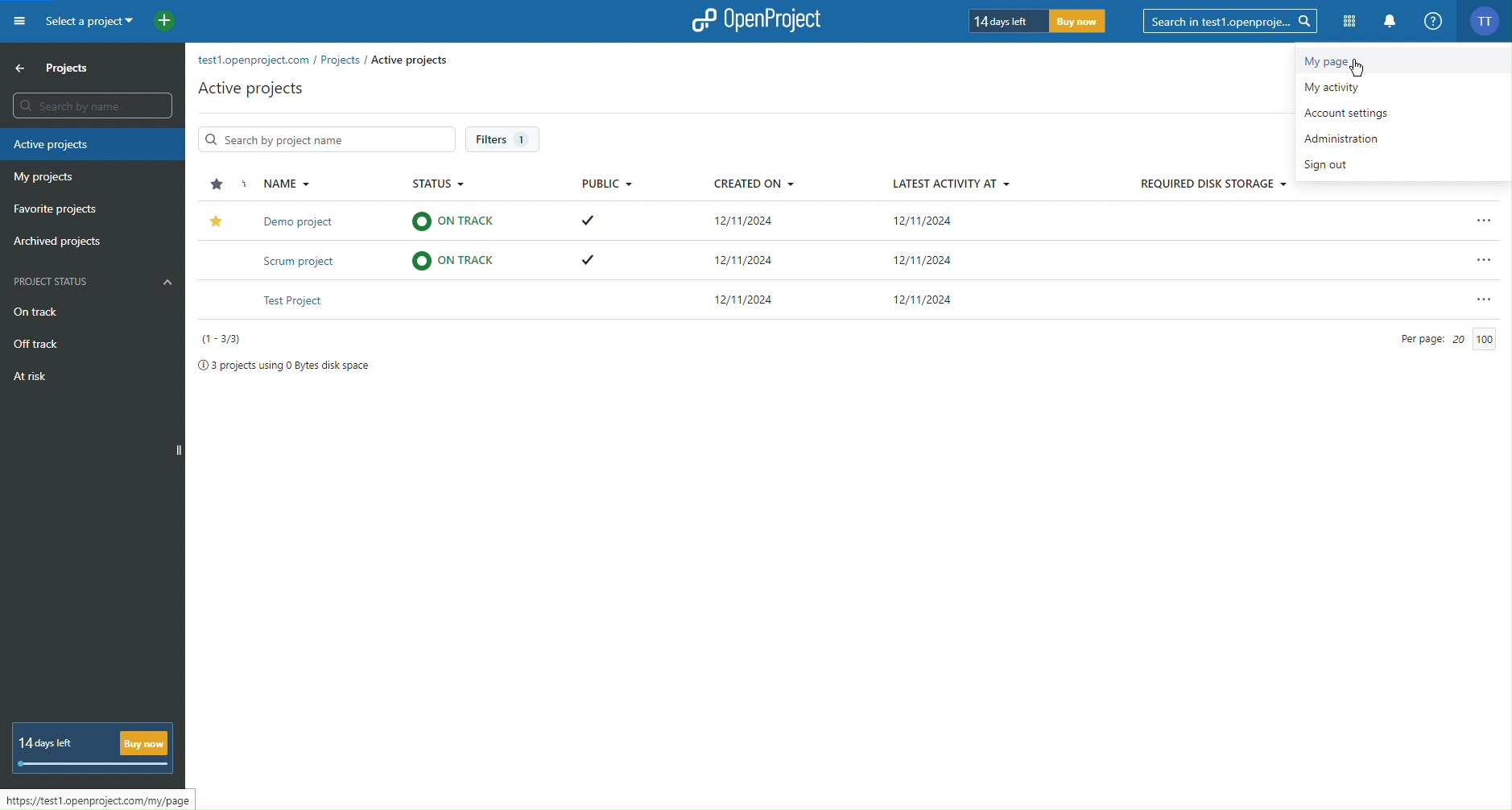  What do you see at coordinates (93, 106) in the screenshot?
I see `Search Bar` at bounding box center [93, 106].